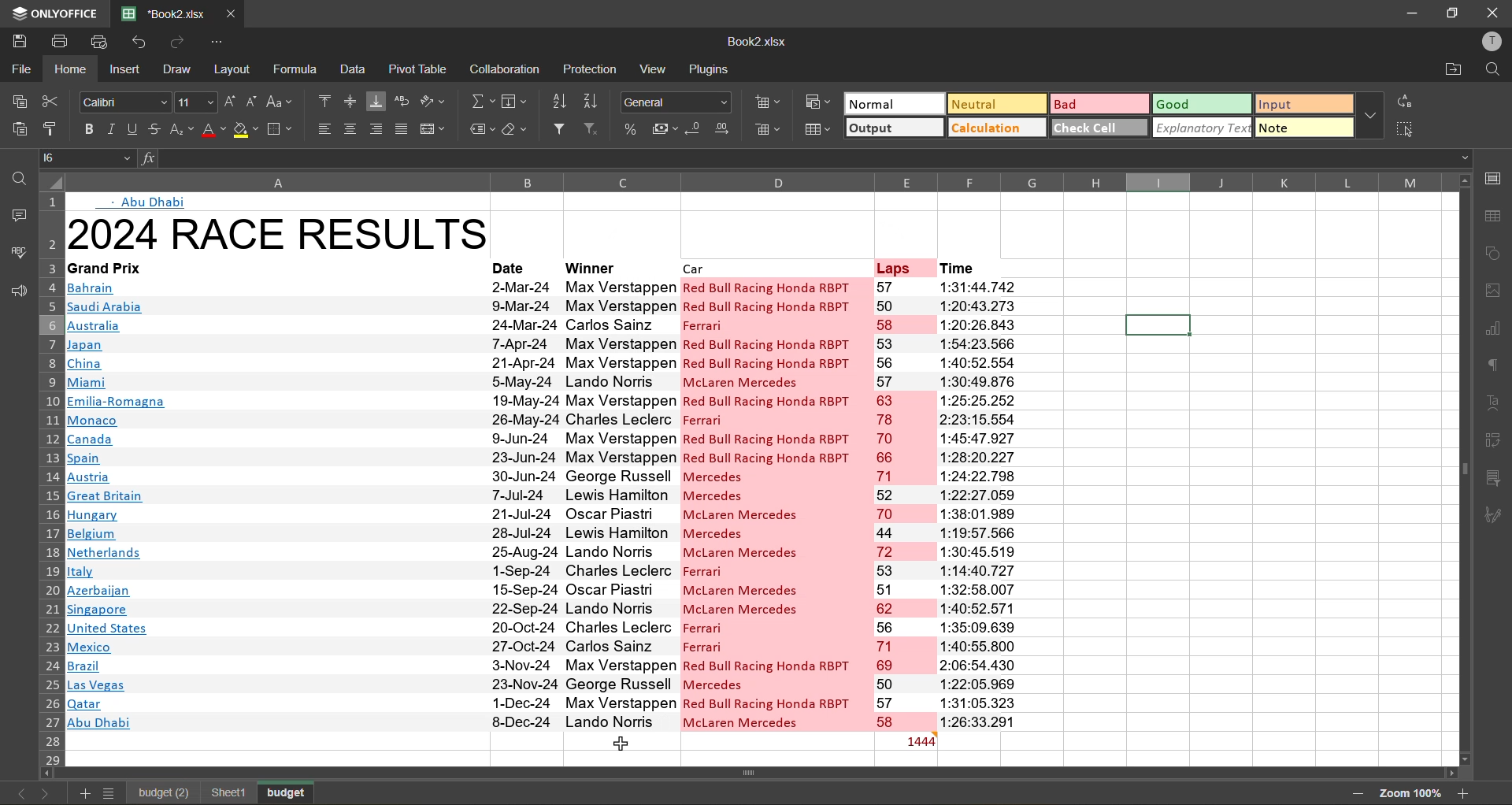 Image resolution: width=1512 pixels, height=805 pixels. What do you see at coordinates (1498, 480) in the screenshot?
I see `slicer` at bounding box center [1498, 480].